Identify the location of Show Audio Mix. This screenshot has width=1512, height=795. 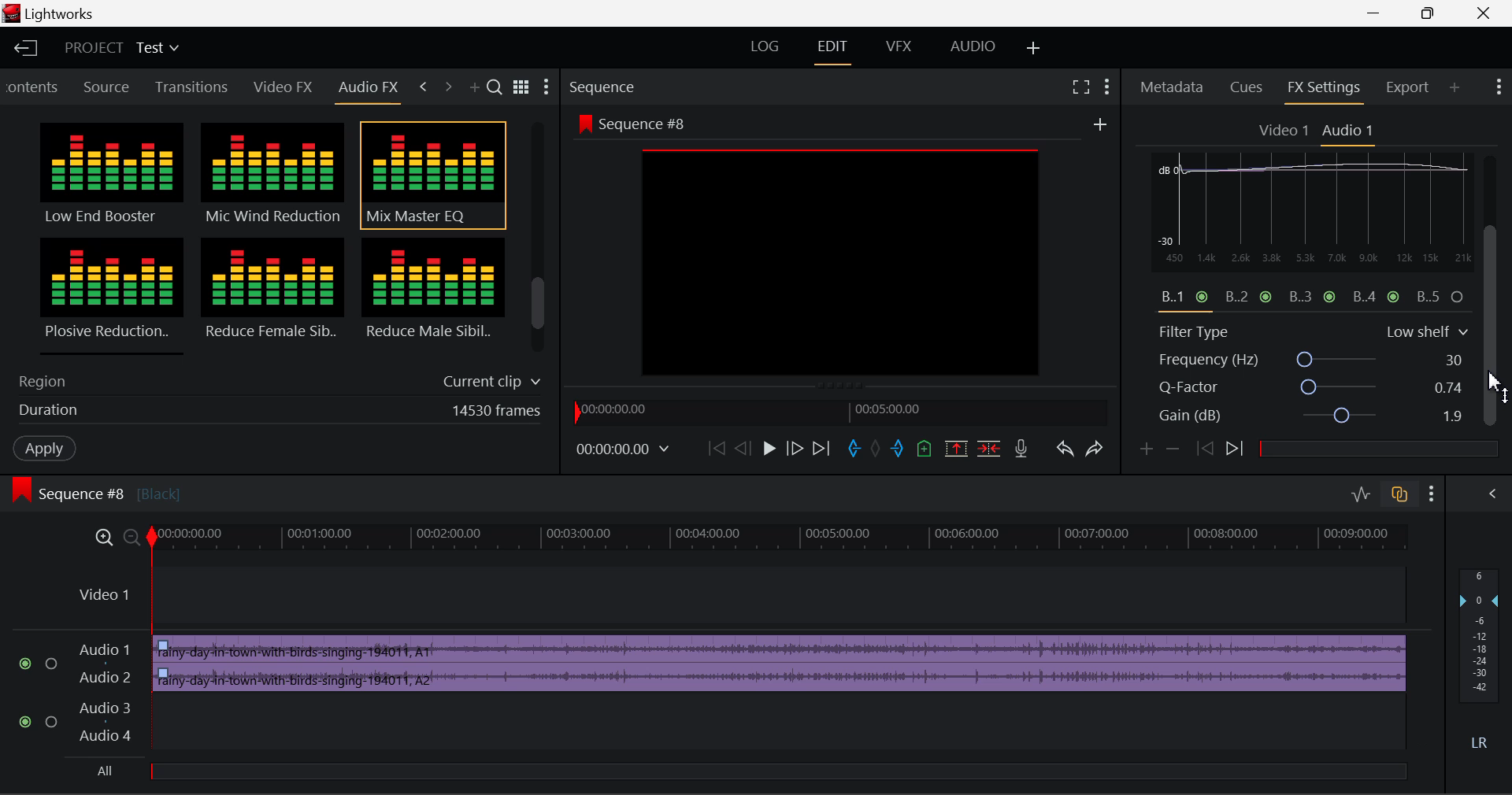
(1490, 494).